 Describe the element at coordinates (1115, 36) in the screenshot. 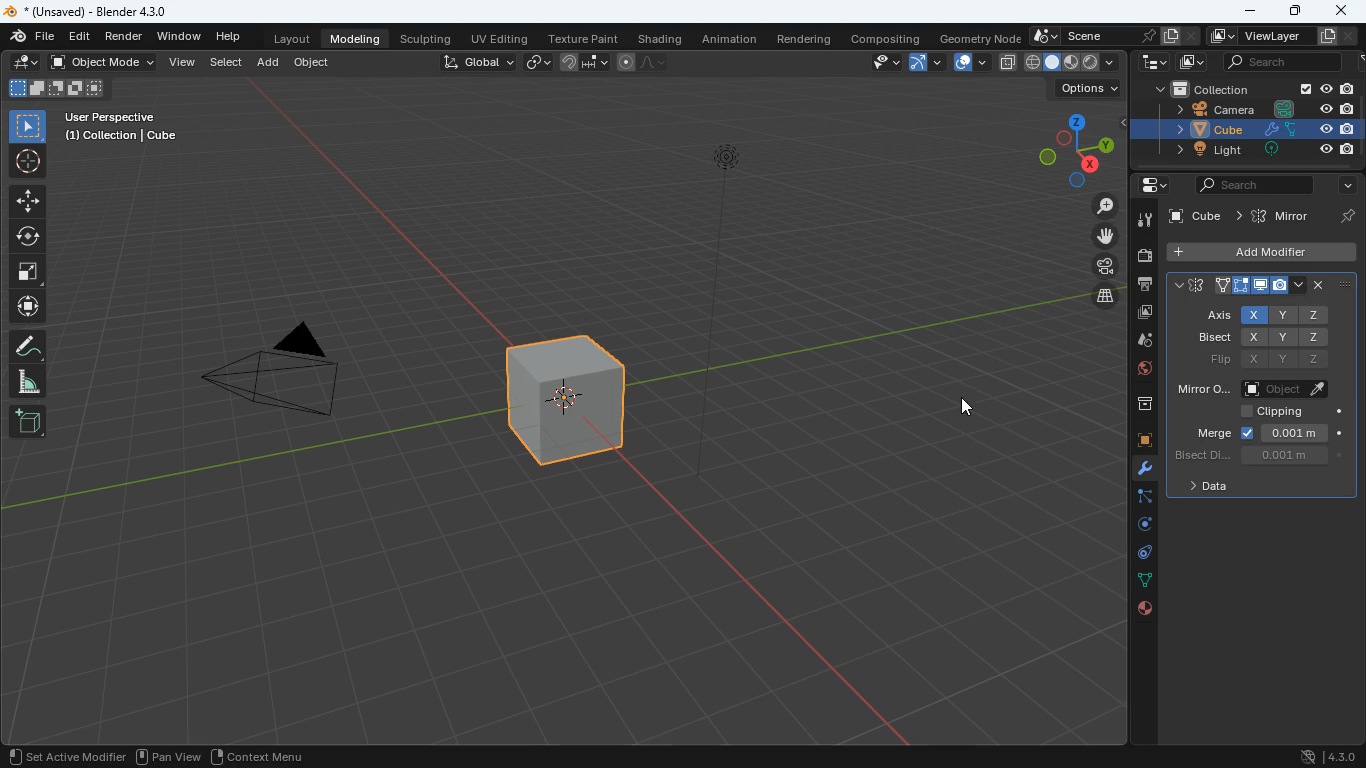

I see `scene` at that location.